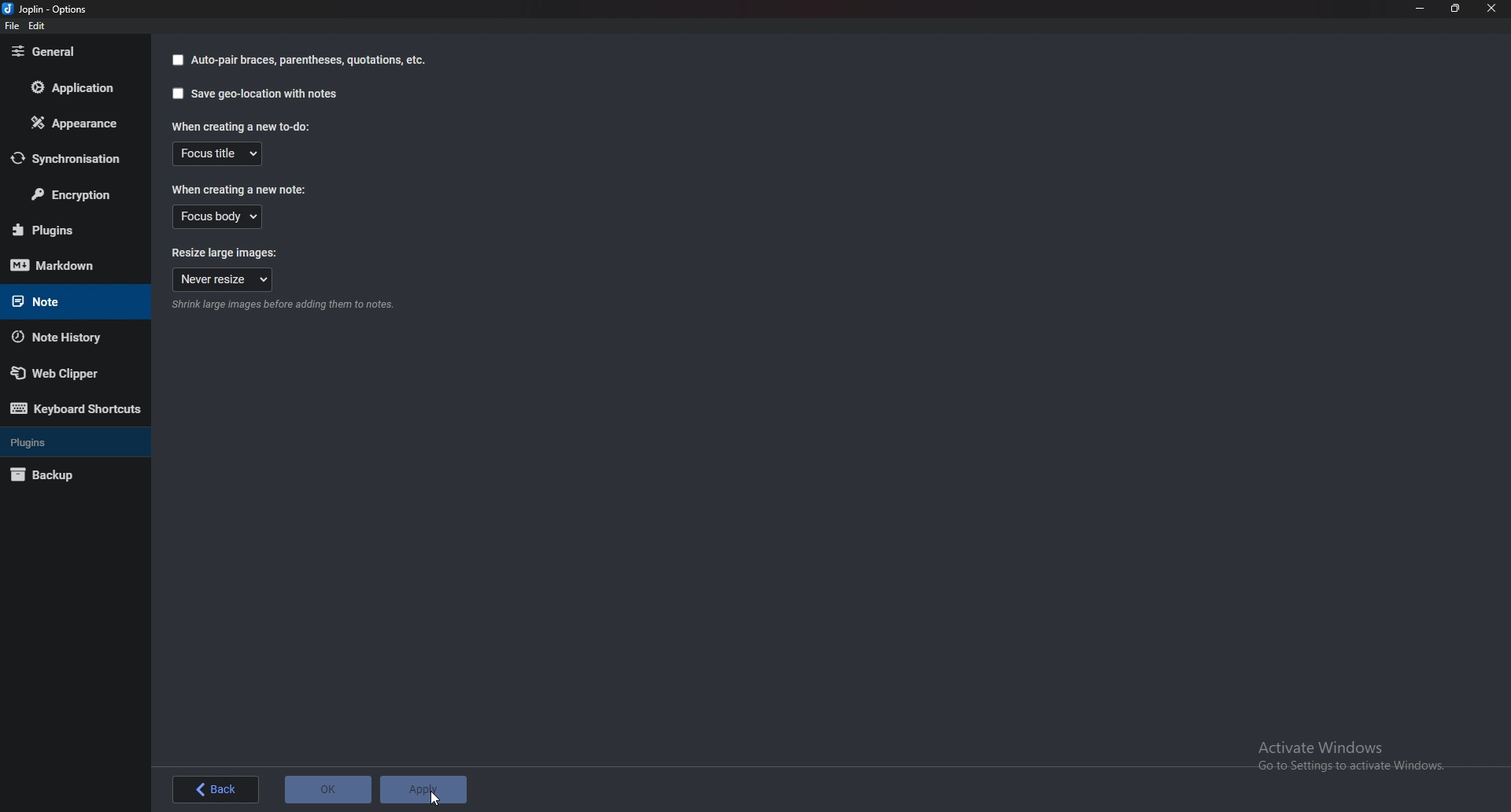 The image size is (1511, 812). I want to click on Activate Windows
Go to Settings to activate Windows., so click(1353, 755).